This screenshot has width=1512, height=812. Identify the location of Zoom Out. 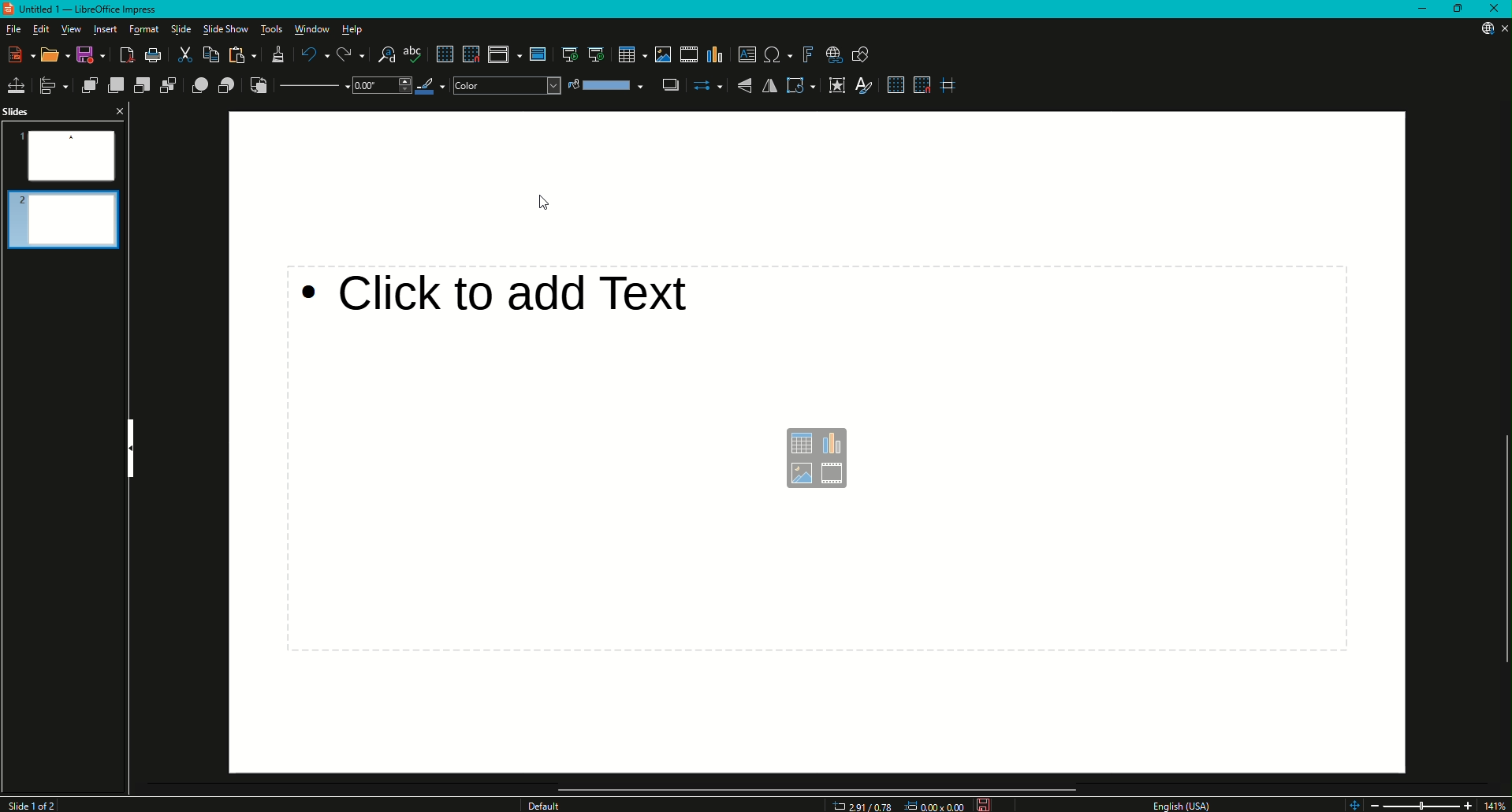
(1381, 803).